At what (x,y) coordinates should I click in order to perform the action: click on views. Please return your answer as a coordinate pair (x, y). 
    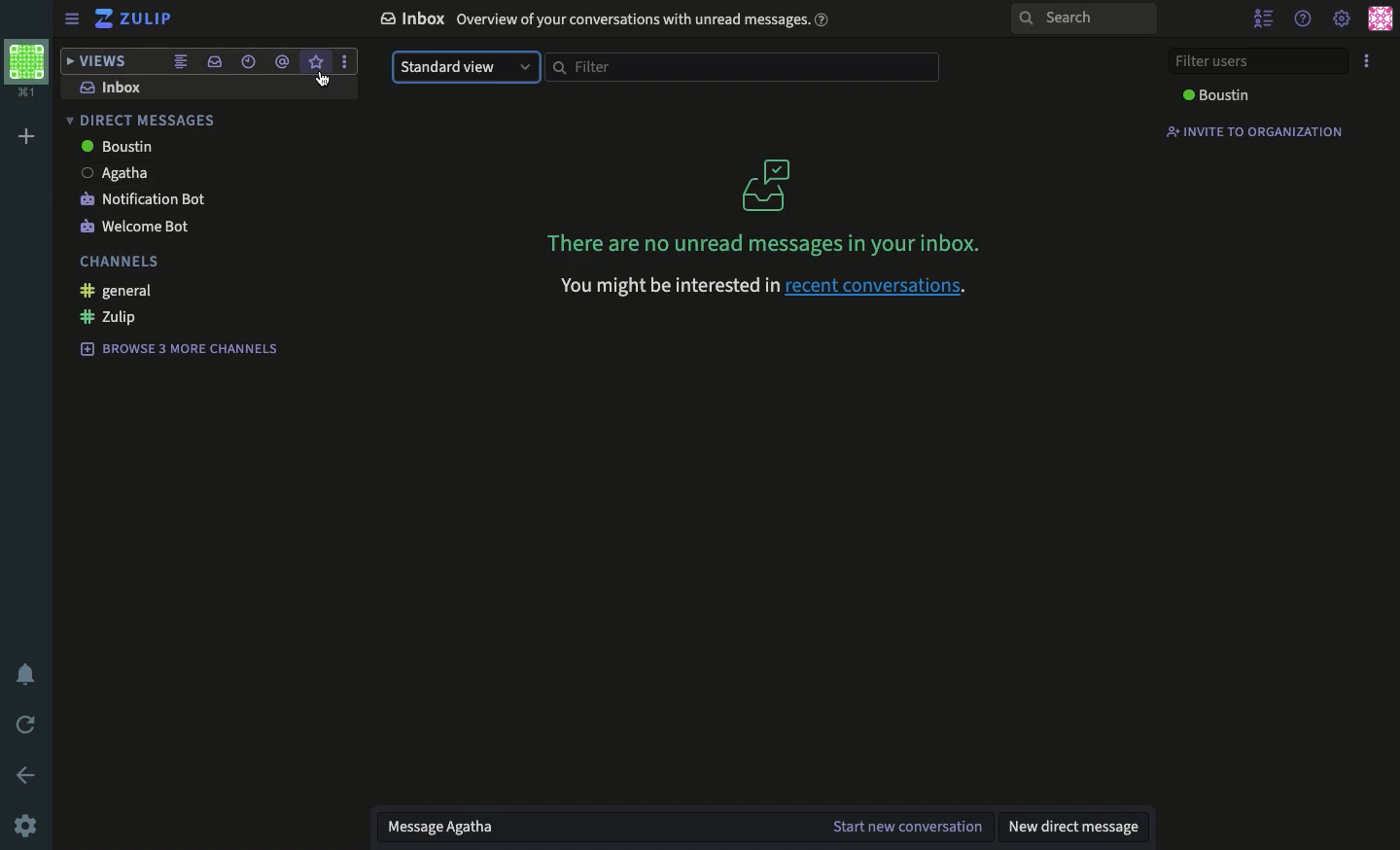
    Looking at the image, I should click on (100, 61).